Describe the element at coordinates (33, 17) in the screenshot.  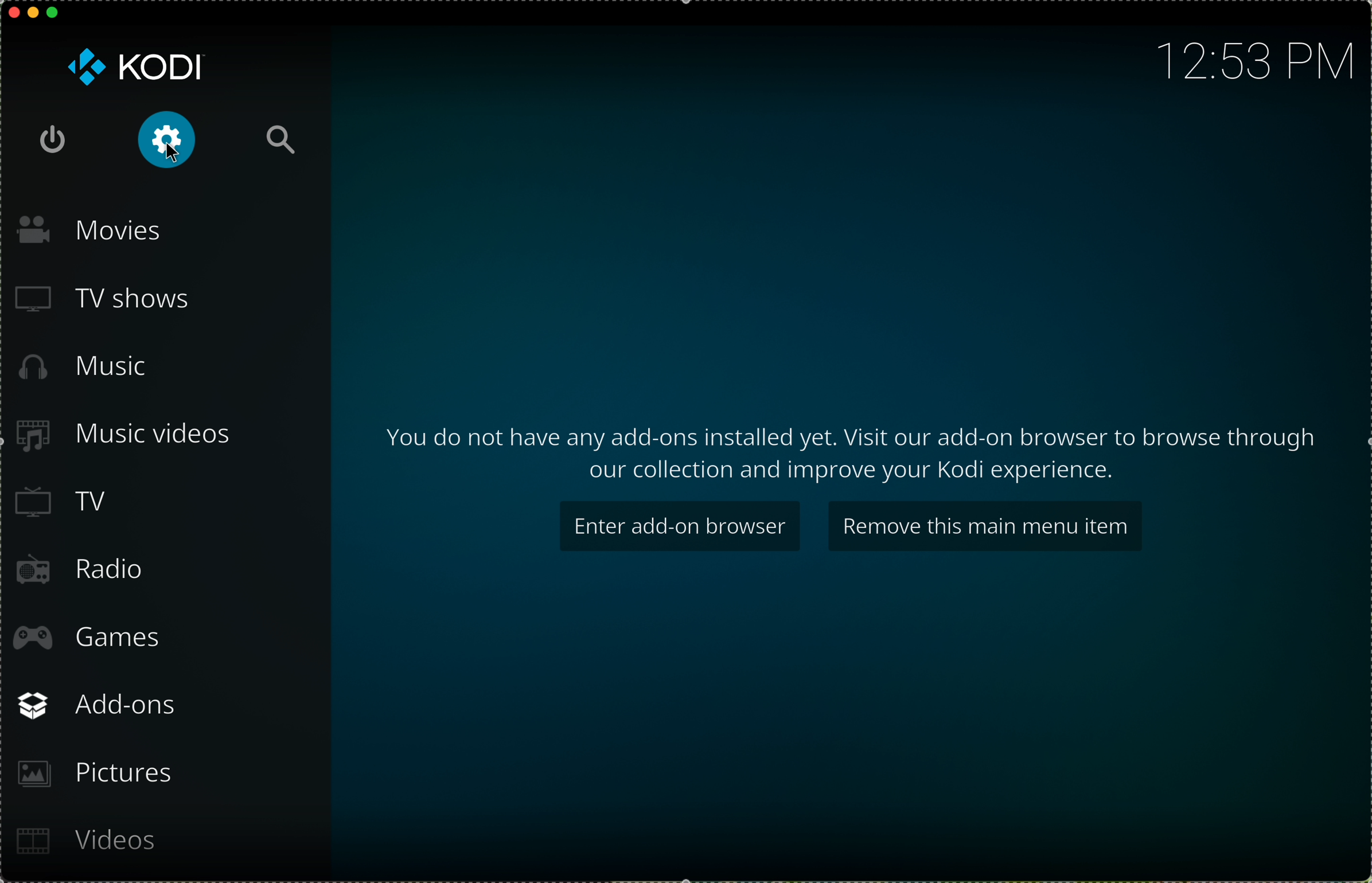
I see `minimize` at that location.